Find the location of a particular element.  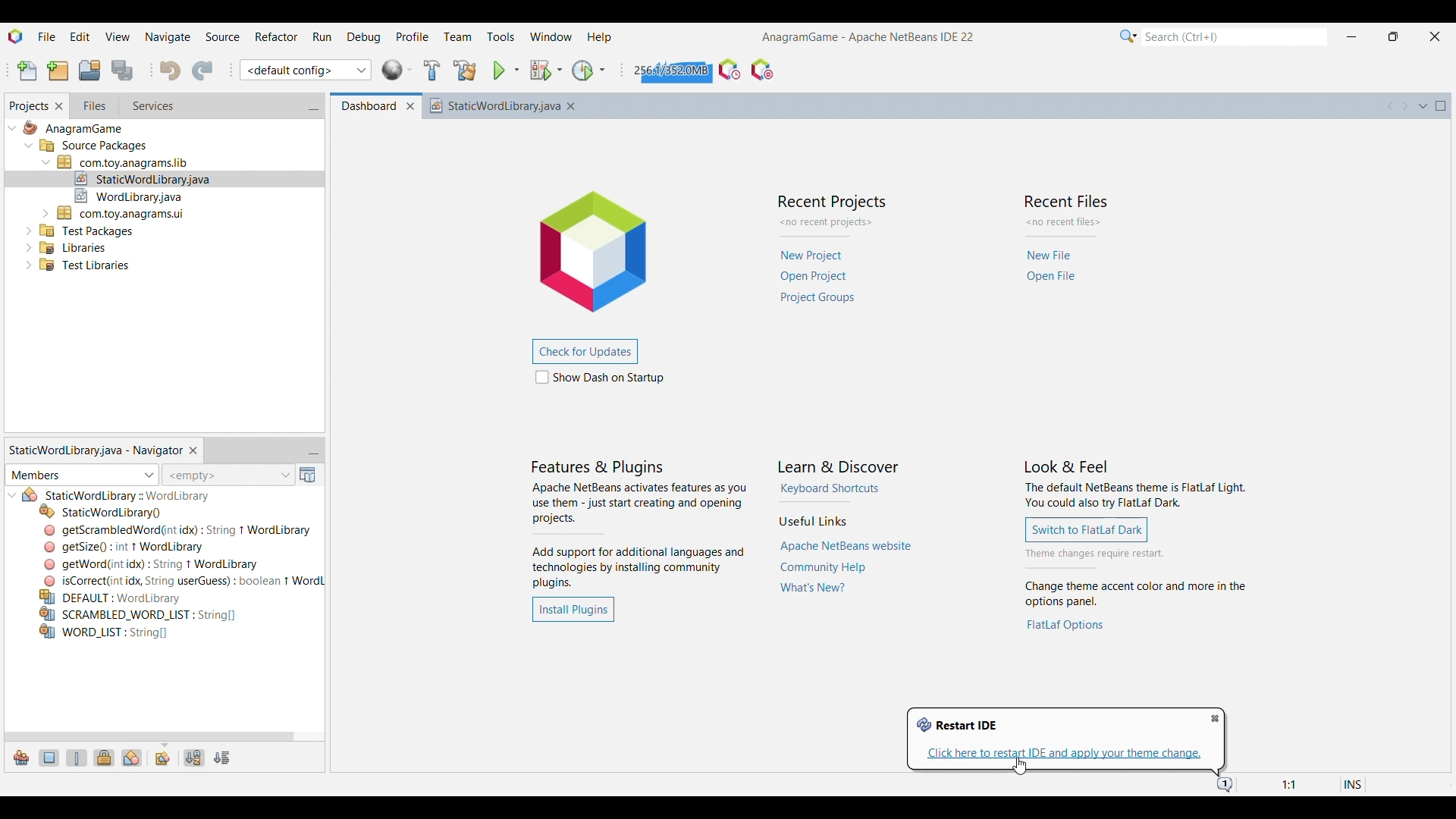

Keyboard shortcuts is located at coordinates (830, 488).